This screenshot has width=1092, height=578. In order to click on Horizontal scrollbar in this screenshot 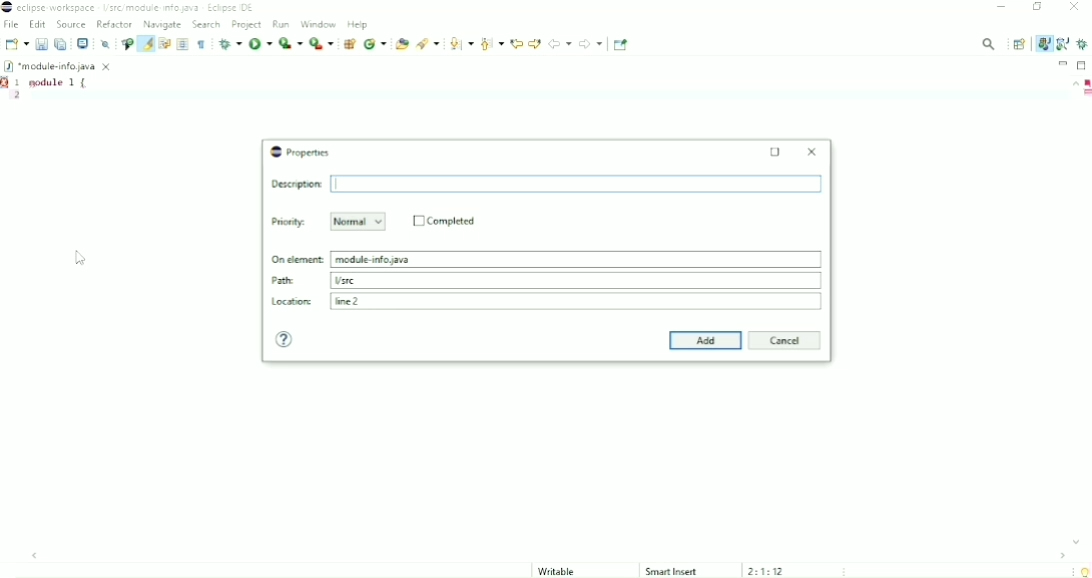, I will do `click(551, 555)`.